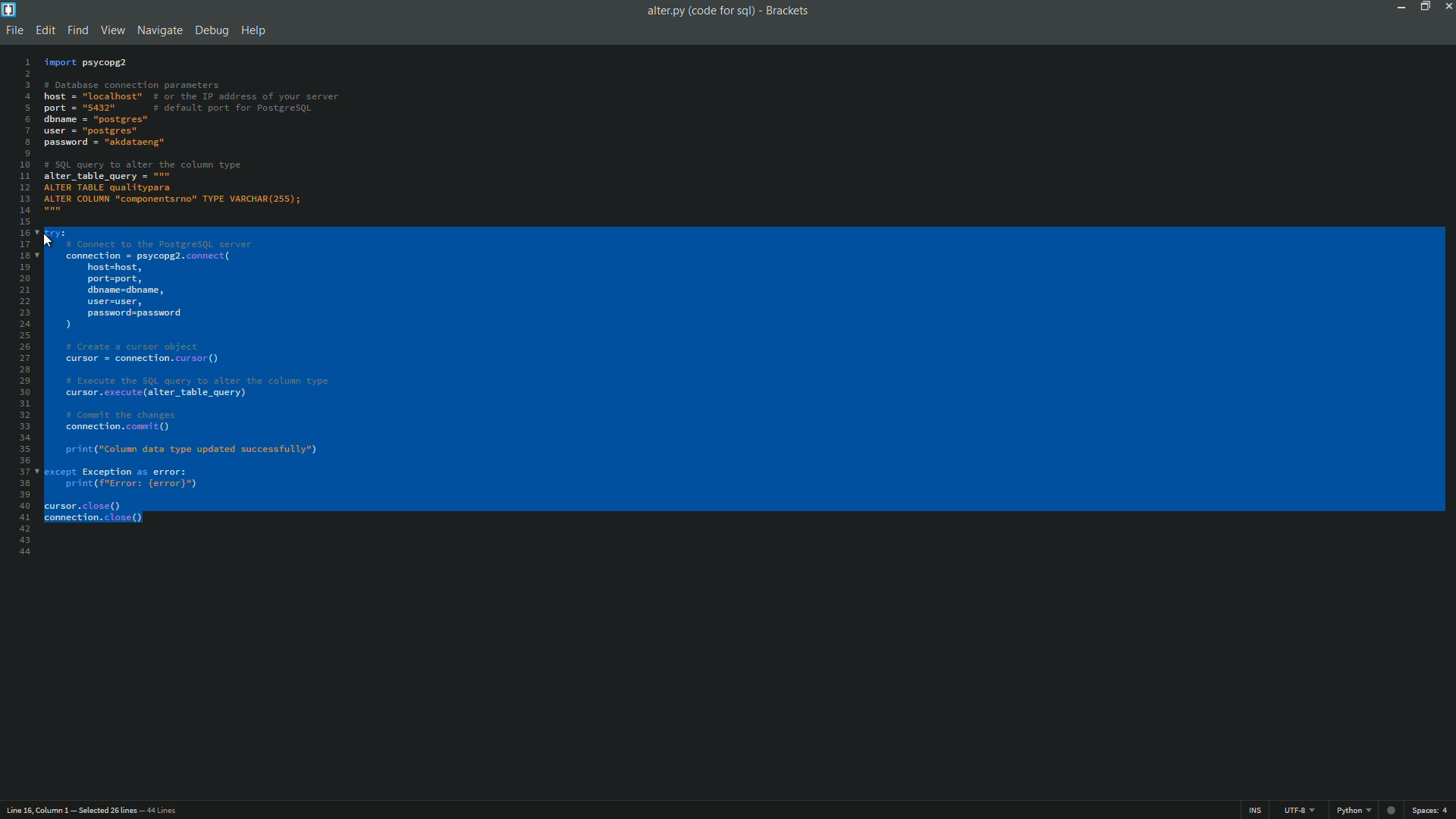 The width and height of the screenshot is (1456, 819). What do you see at coordinates (254, 30) in the screenshot?
I see `help menu` at bounding box center [254, 30].